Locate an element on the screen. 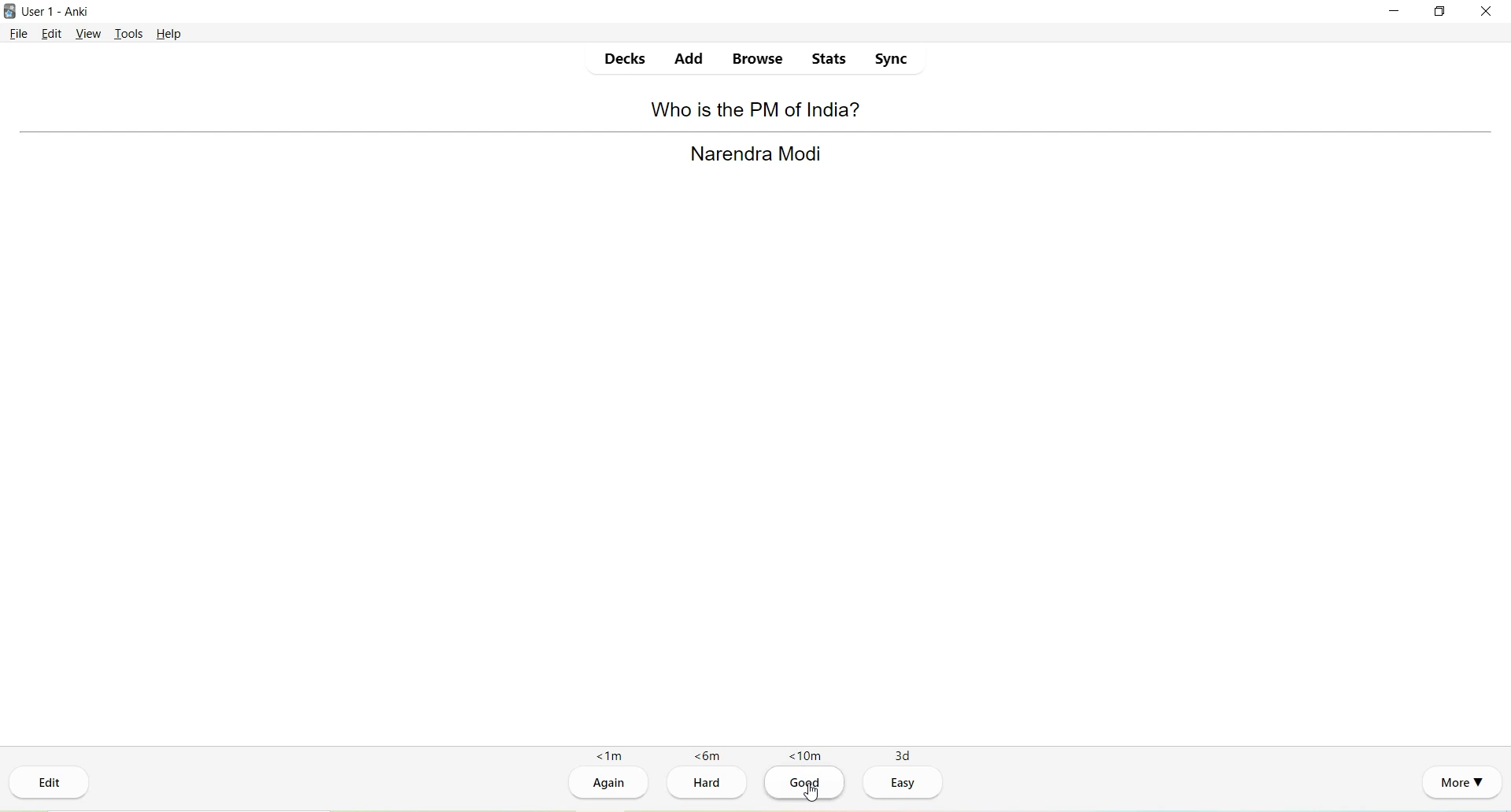  Add is located at coordinates (690, 60).